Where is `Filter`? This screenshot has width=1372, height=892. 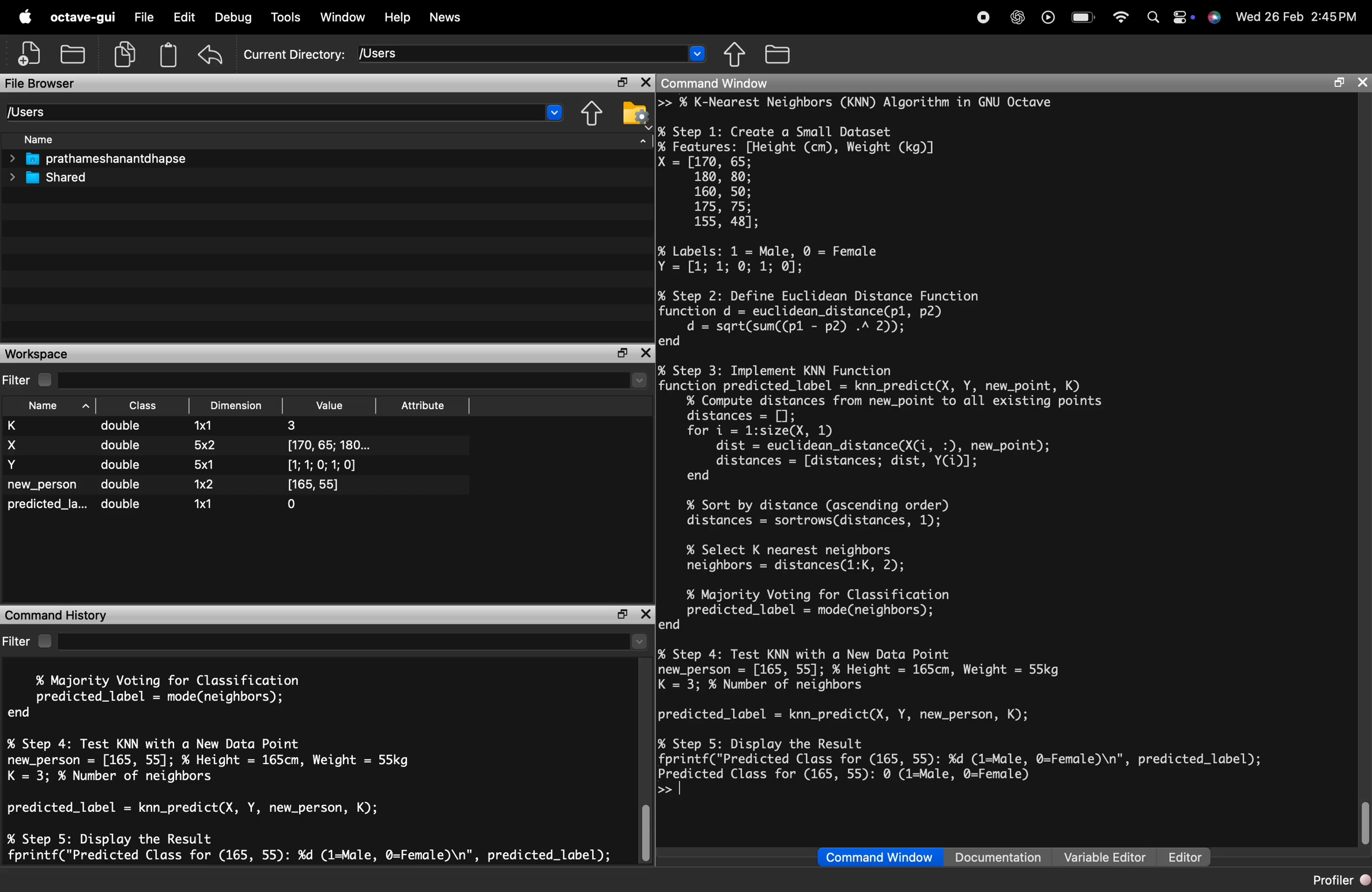
Filter is located at coordinates (20, 379).